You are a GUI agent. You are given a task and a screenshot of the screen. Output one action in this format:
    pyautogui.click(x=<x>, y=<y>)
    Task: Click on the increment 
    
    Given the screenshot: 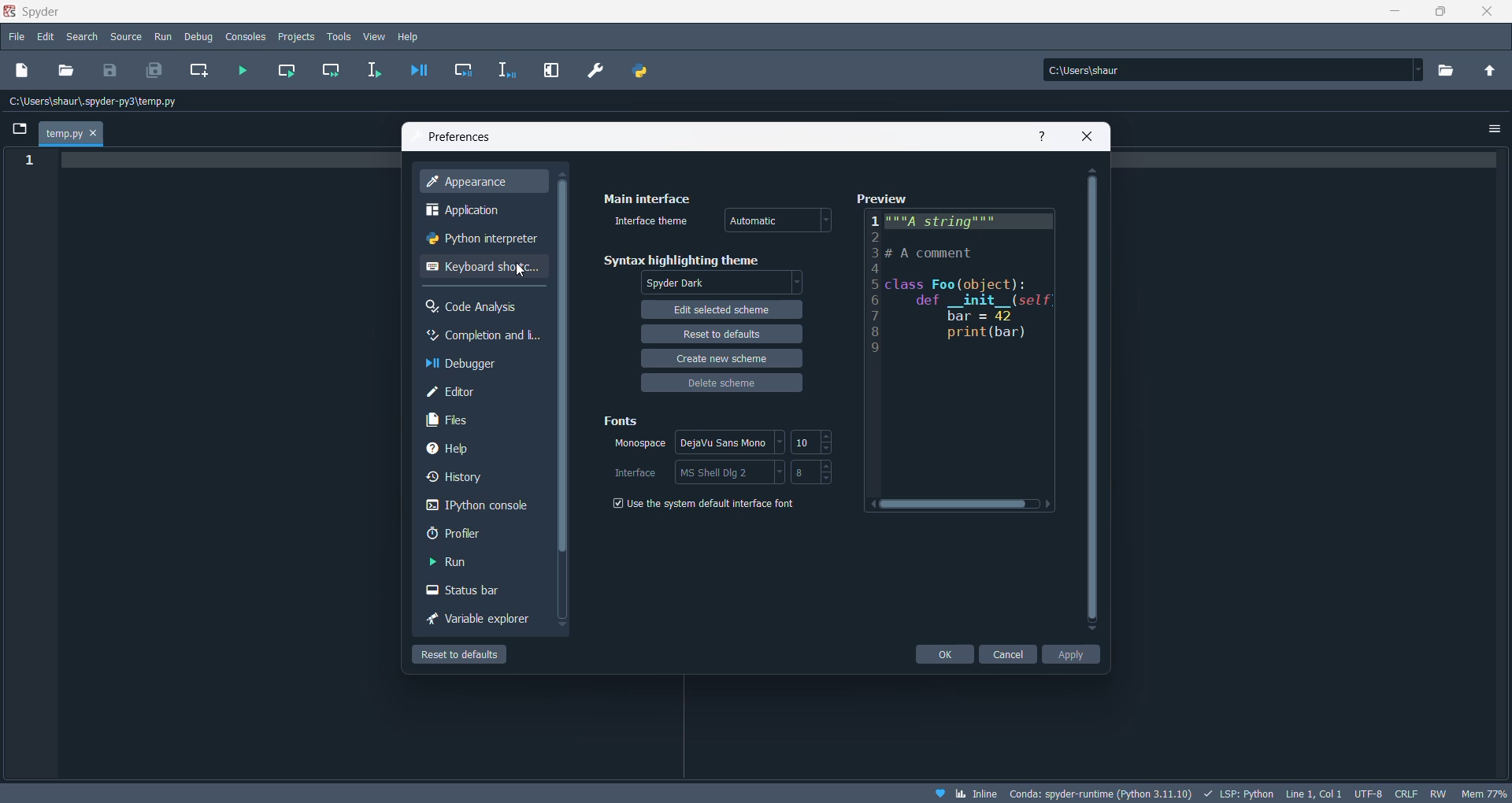 What is the action you would take?
    pyautogui.click(x=829, y=467)
    